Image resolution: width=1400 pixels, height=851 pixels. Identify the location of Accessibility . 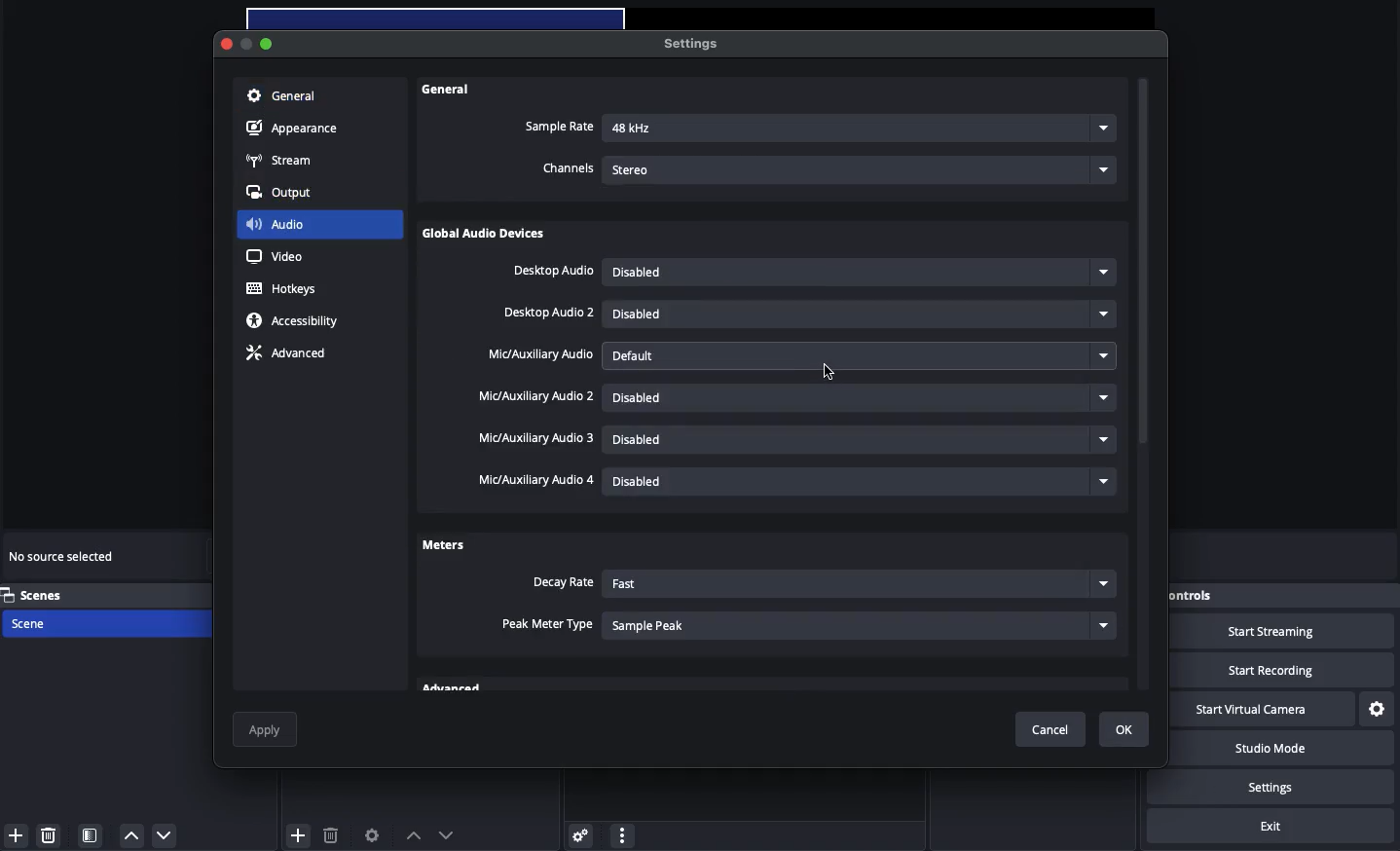
(296, 321).